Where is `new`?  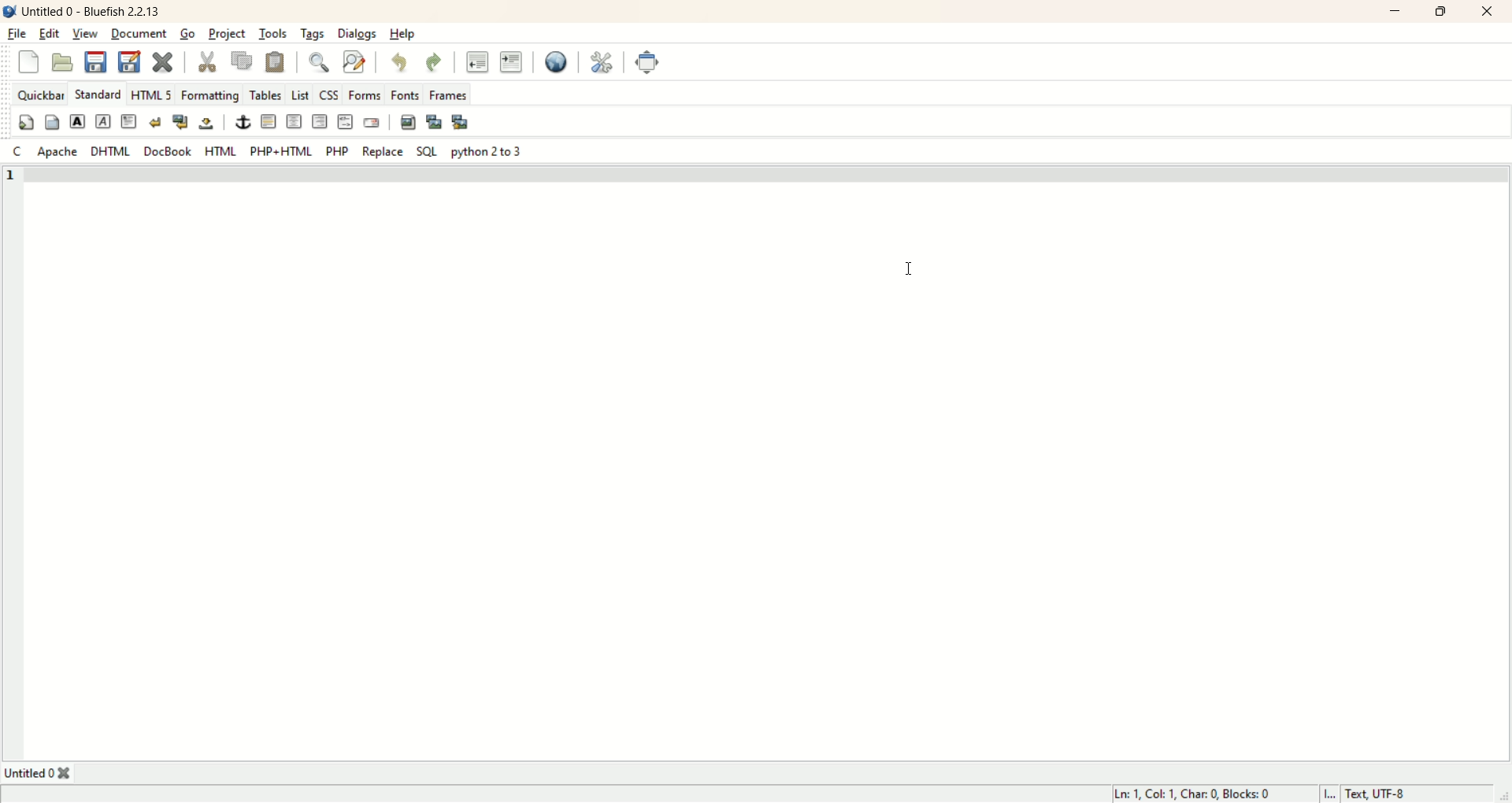
new is located at coordinates (29, 63).